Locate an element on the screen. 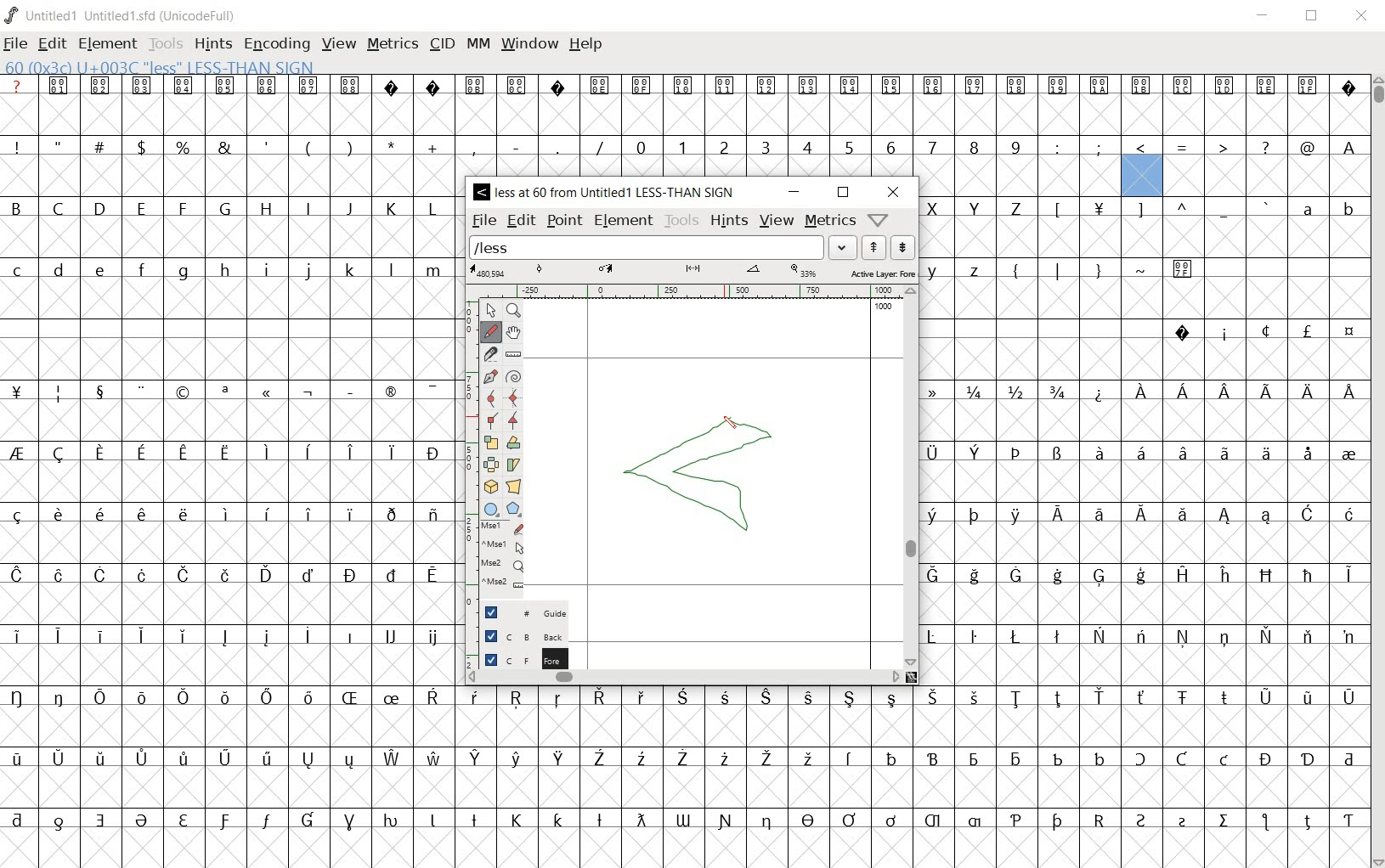  special letters is located at coordinates (1222, 391).